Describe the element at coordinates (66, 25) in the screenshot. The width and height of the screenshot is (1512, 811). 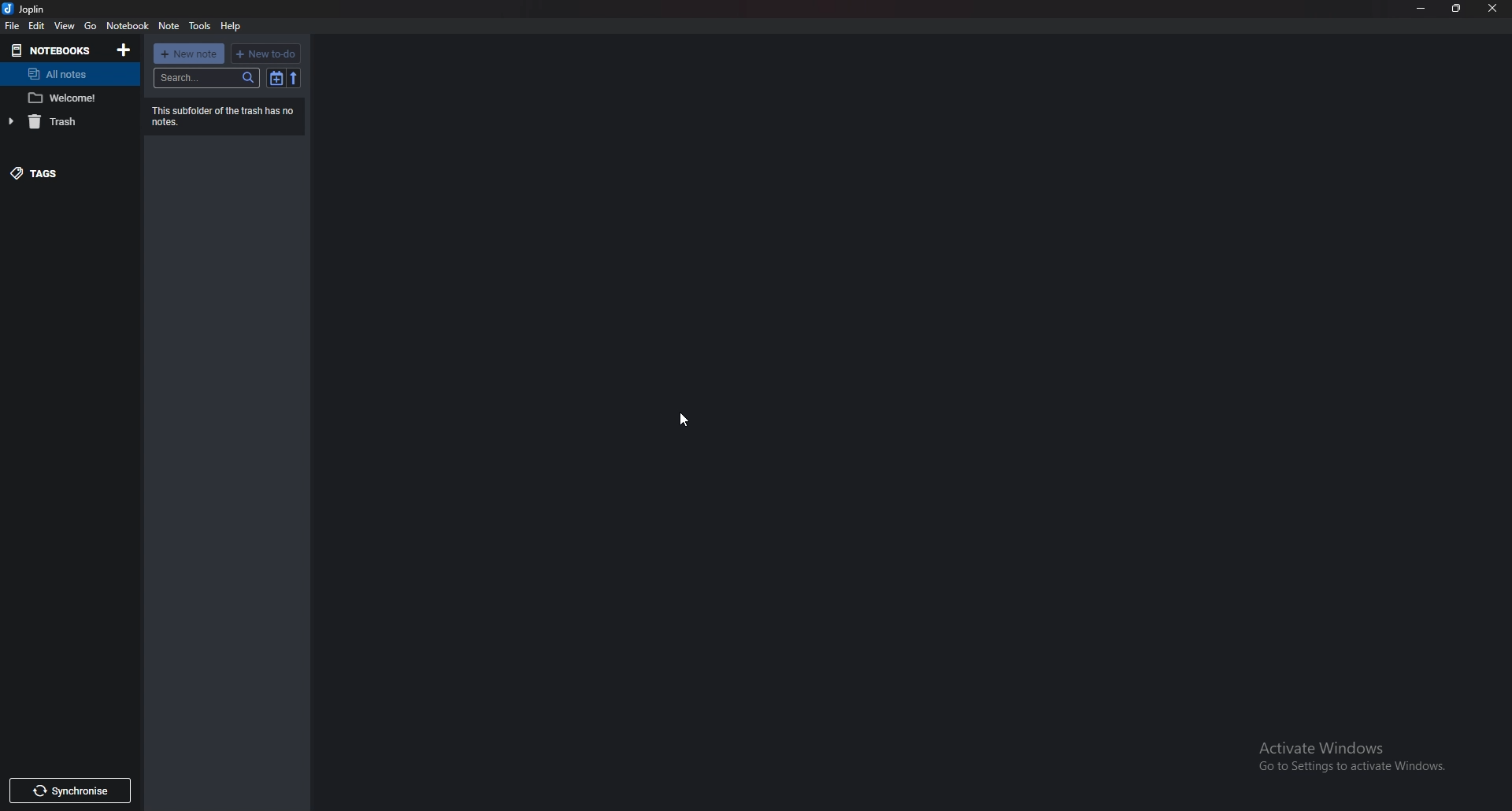
I see `view` at that location.